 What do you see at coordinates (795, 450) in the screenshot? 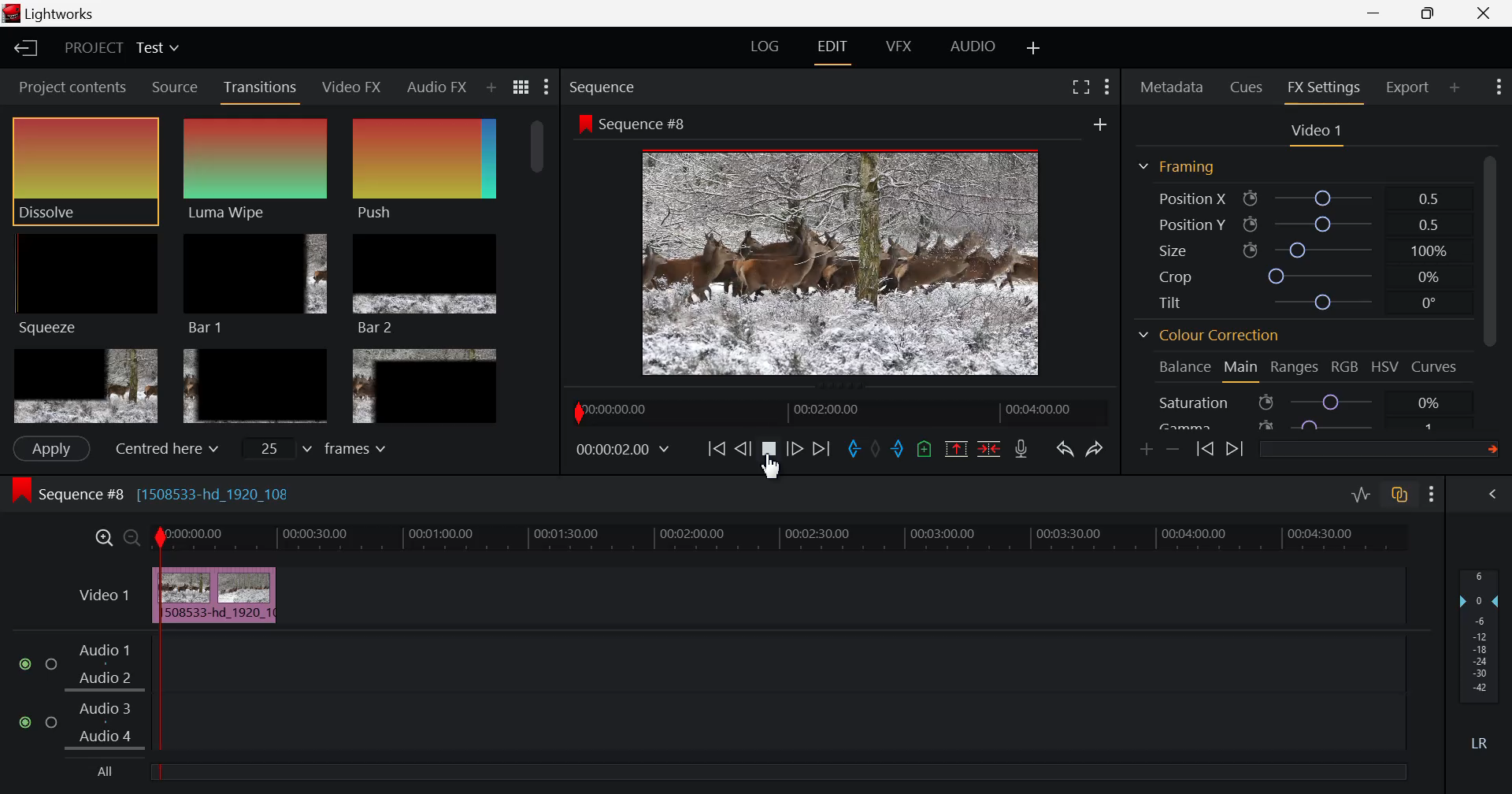
I see `Go Forward` at bounding box center [795, 450].